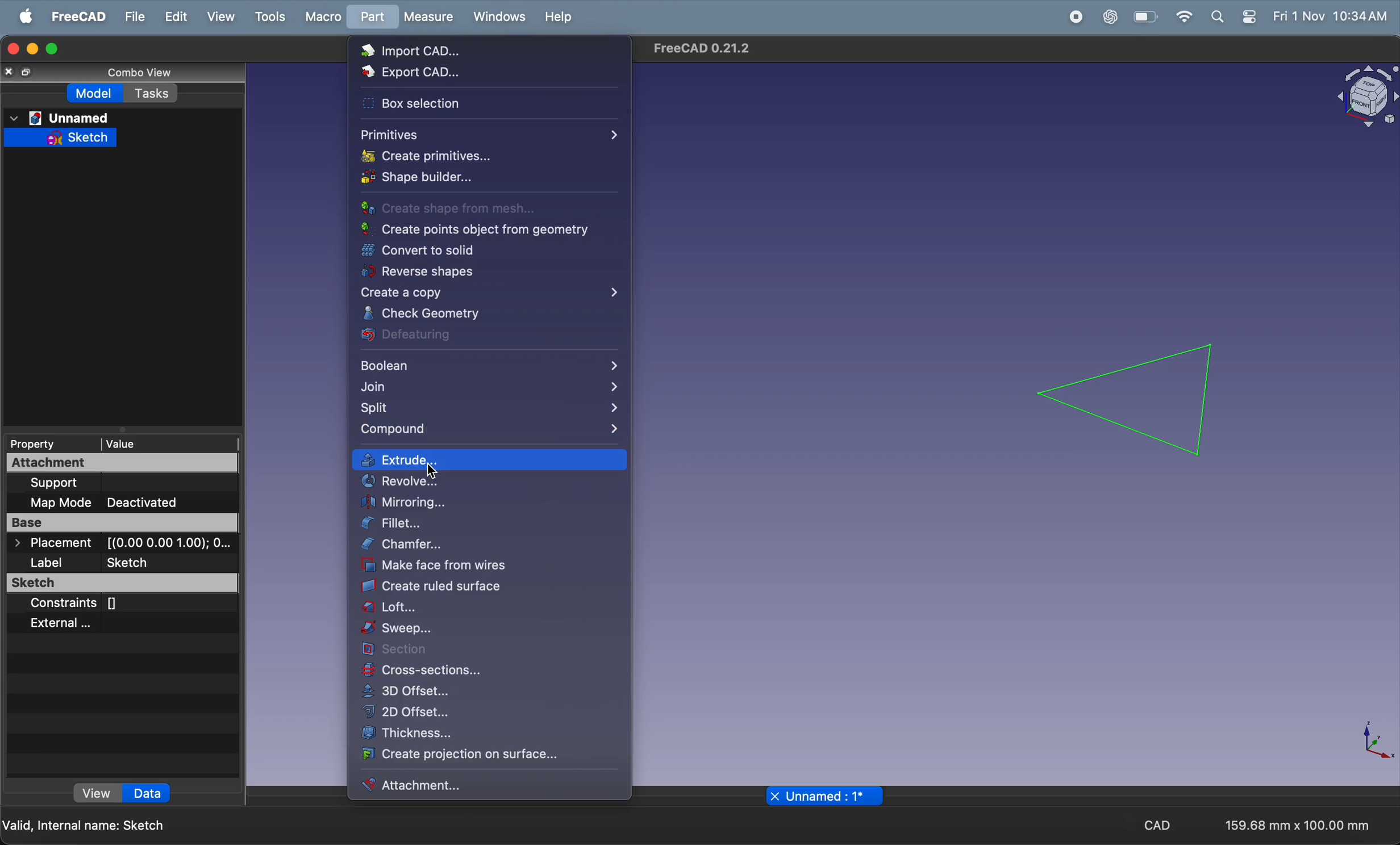  What do you see at coordinates (478, 336) in the screenshot?
I see `defeaturing` at bounding box center [478, 336].